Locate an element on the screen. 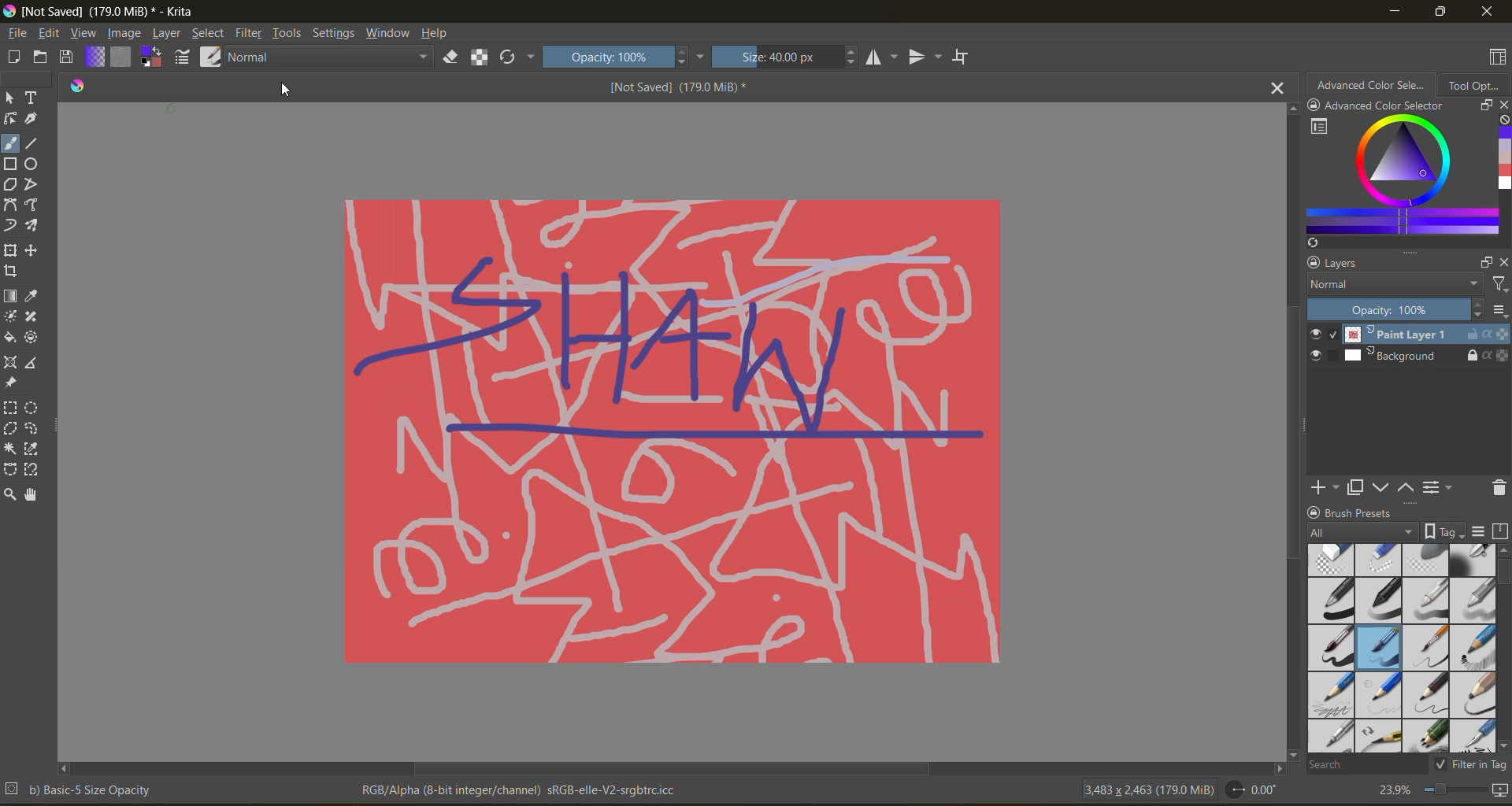 The image size is (1512, 806). choose workspace is located at coordinates (1499, 57).